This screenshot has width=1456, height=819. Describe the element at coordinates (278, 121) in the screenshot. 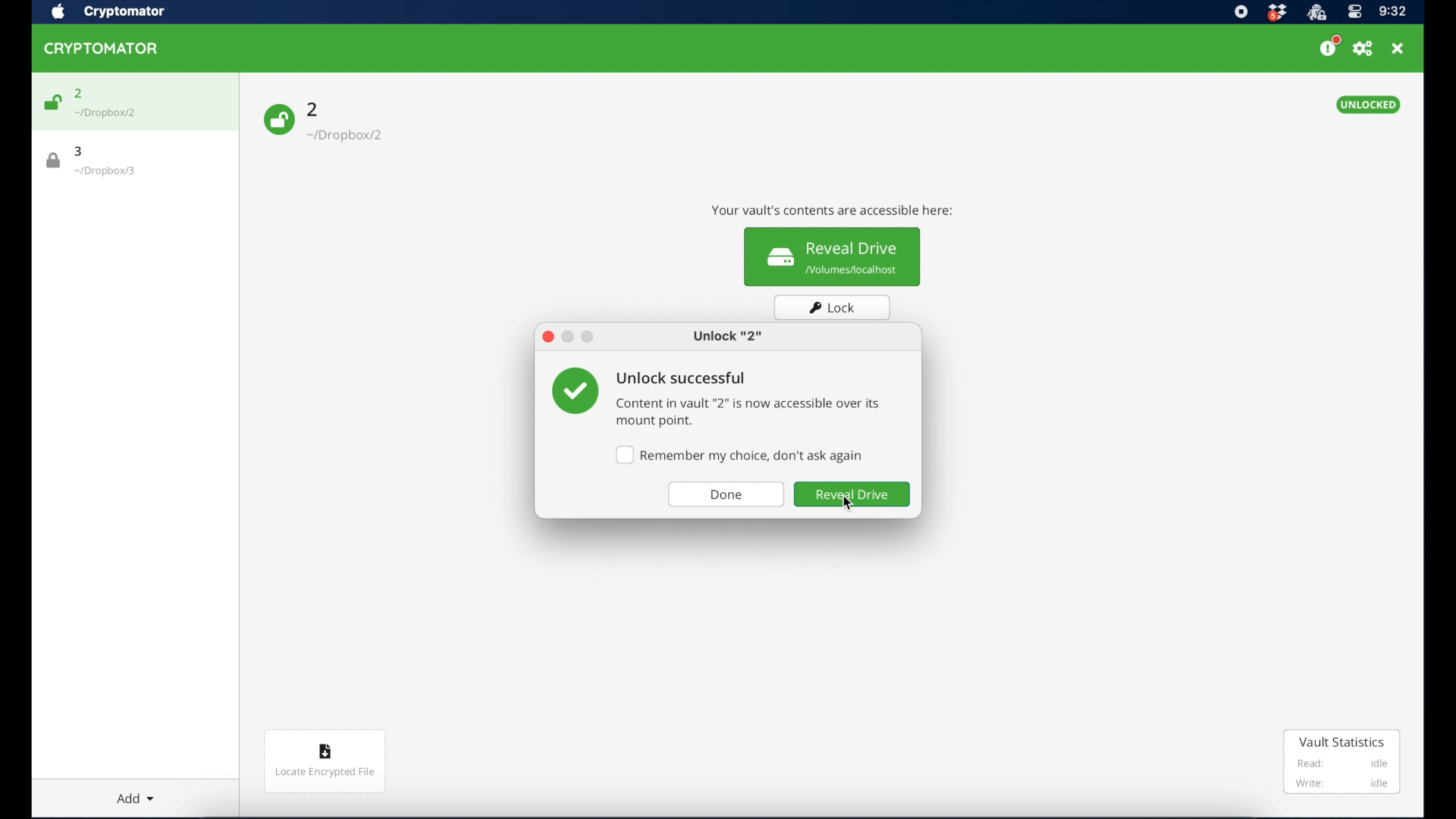

I see `unlock icon` at that location.